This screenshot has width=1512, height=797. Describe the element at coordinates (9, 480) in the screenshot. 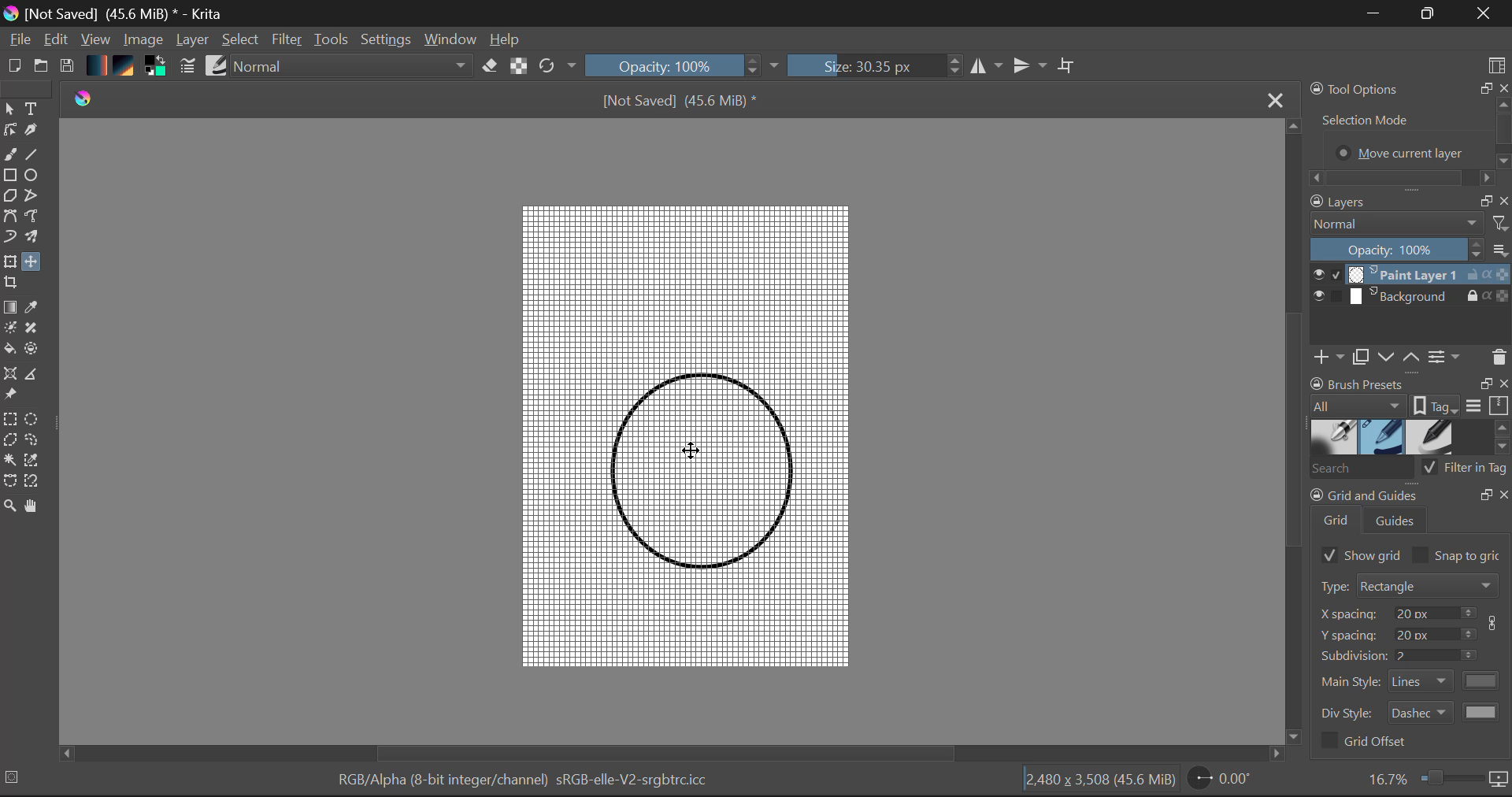

I see `Bezier Curve Selection` at that location.